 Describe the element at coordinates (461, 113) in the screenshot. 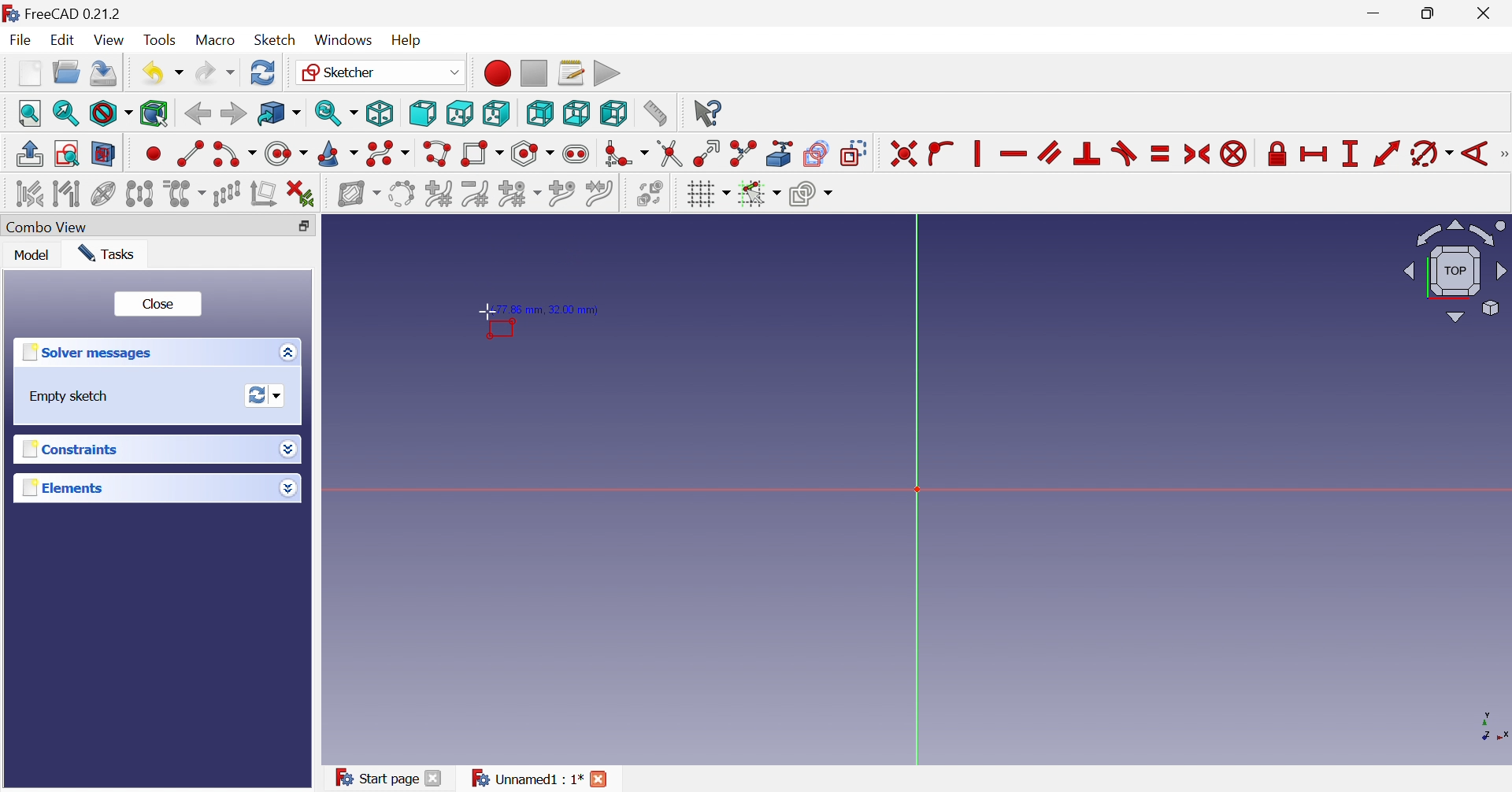

I see `Top` at that location.